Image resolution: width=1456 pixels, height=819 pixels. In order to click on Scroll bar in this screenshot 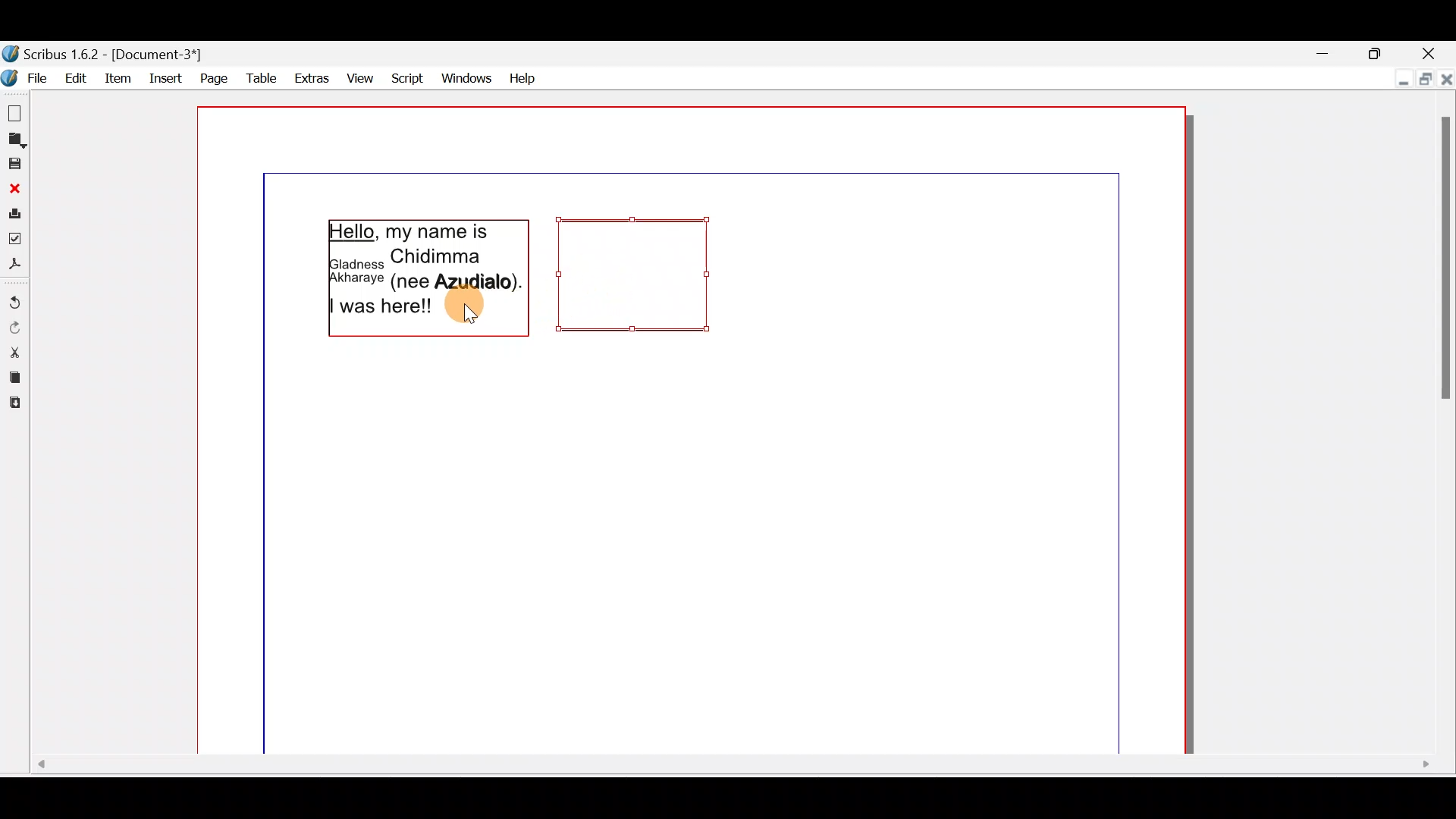, I will do `click(1442, 425)`.